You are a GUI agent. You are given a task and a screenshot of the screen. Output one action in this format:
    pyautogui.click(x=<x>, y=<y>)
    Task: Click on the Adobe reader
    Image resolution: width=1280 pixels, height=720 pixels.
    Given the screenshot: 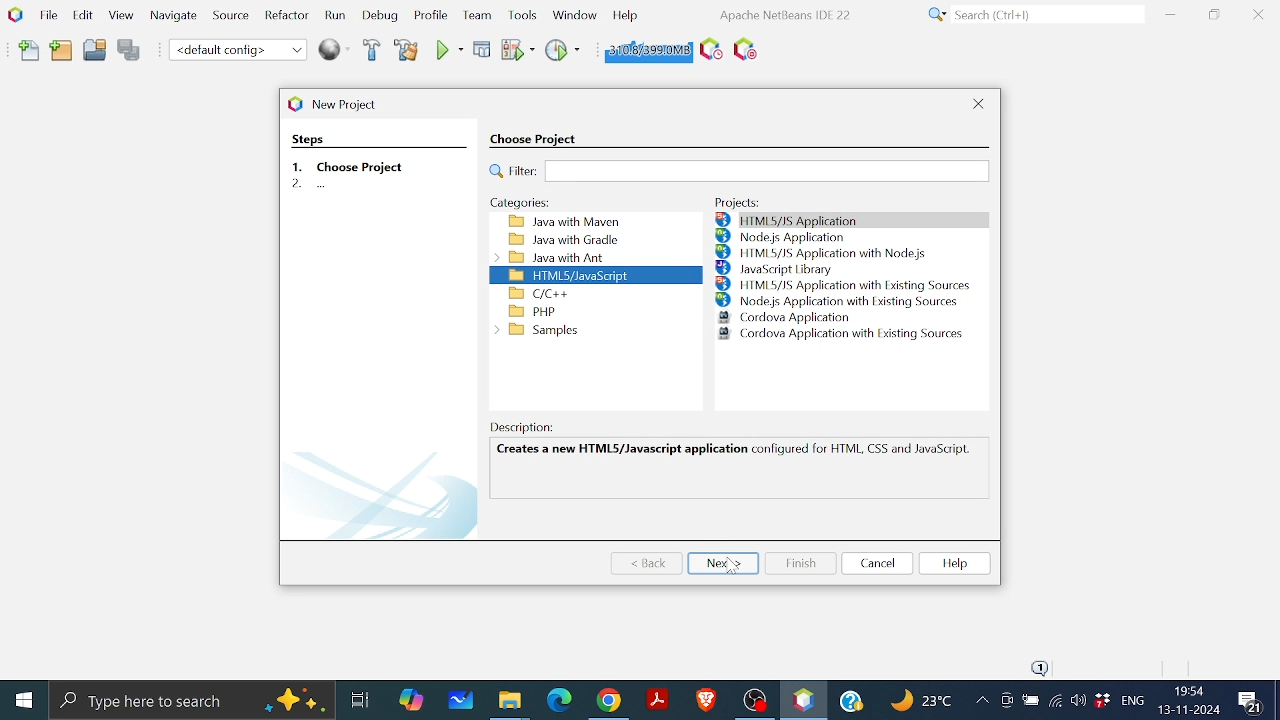 What is the action you would take?
    pyautogui.click(x=657, y=699)
    